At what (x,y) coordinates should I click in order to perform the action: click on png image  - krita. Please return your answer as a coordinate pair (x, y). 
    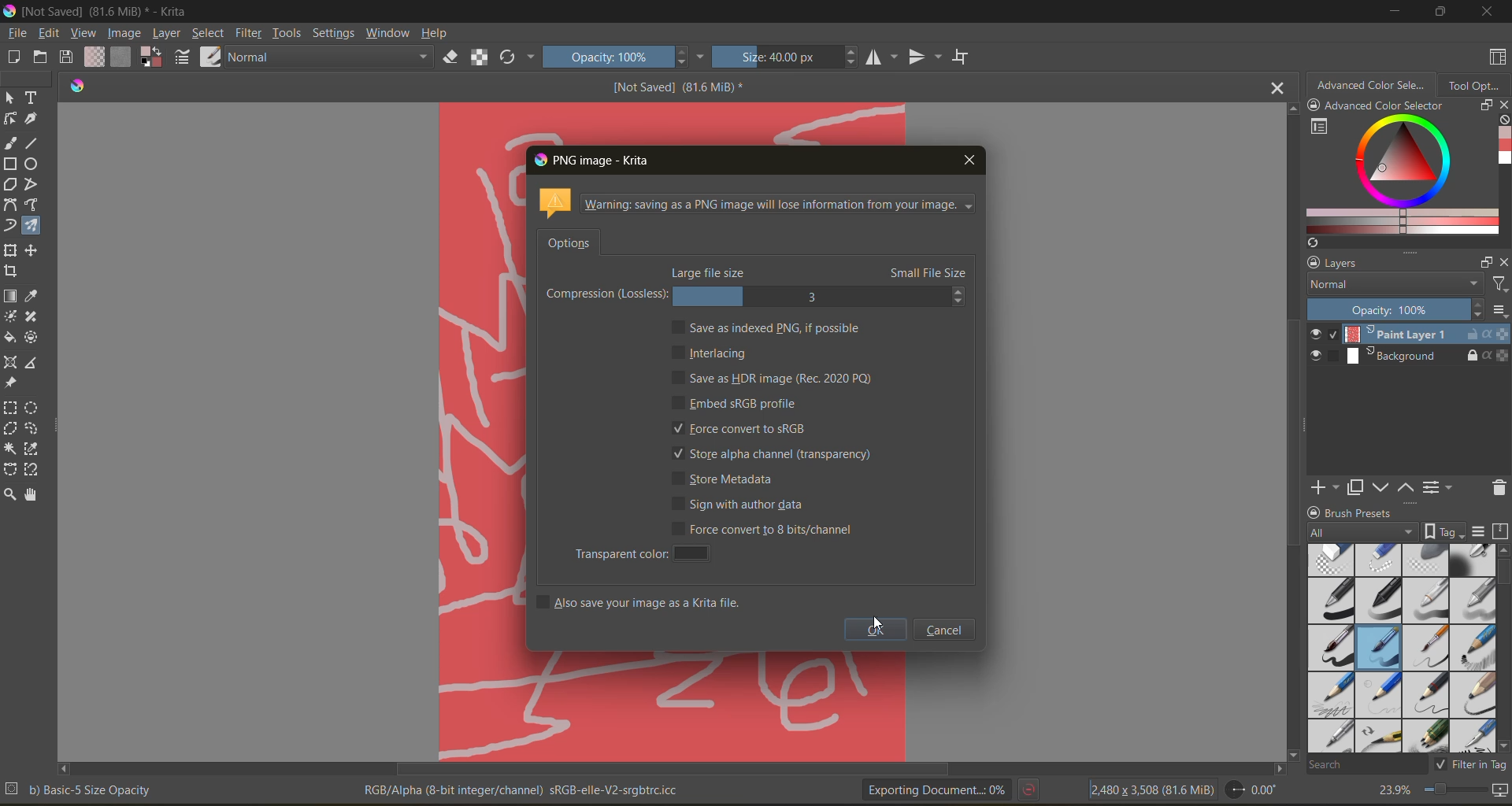
    Looking at the image, I should click on (596, 162).